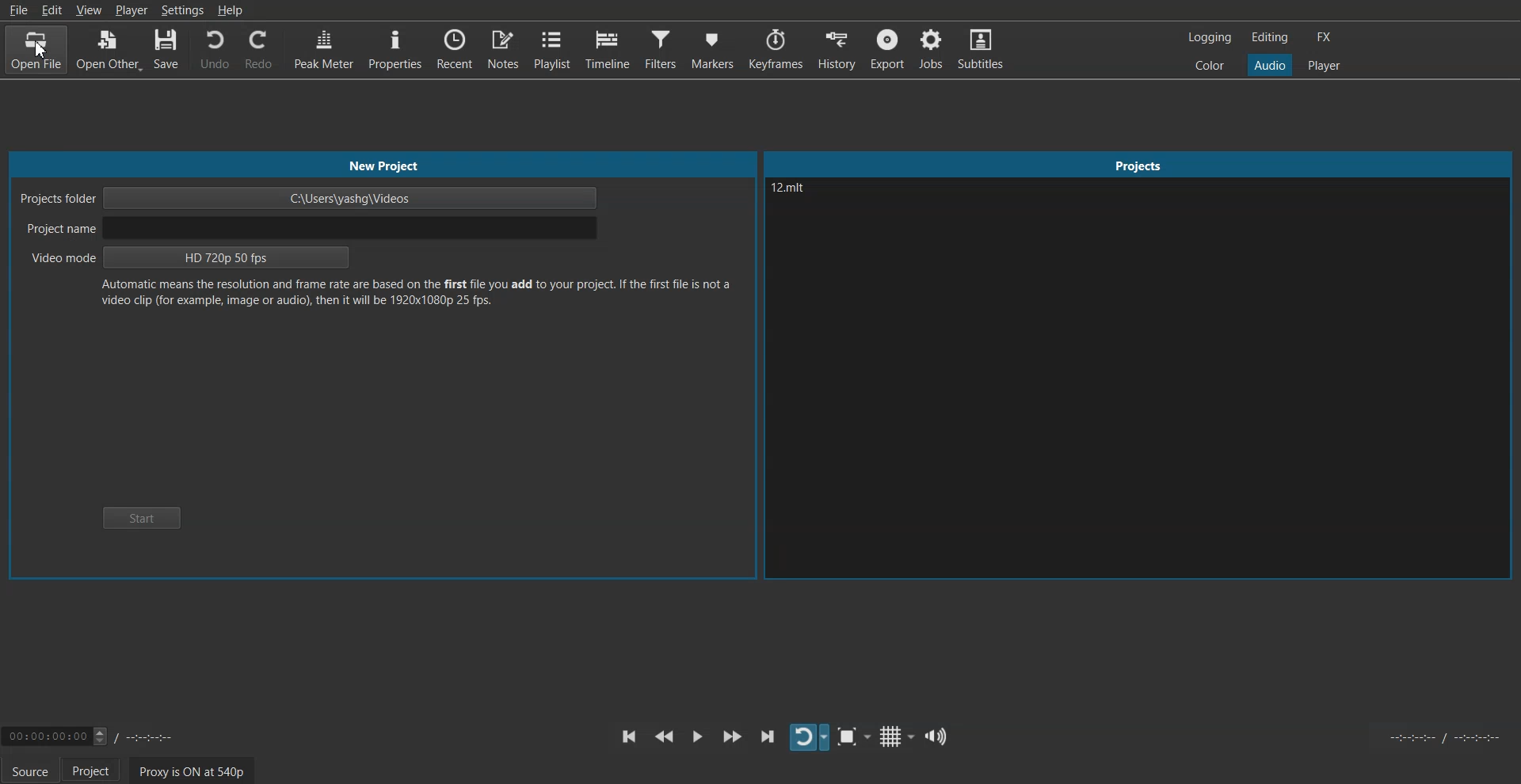  What do you see at coordinates (896, 736) in the screenshot?
I see `Toggle grid display` at bounding box center [896, 736].